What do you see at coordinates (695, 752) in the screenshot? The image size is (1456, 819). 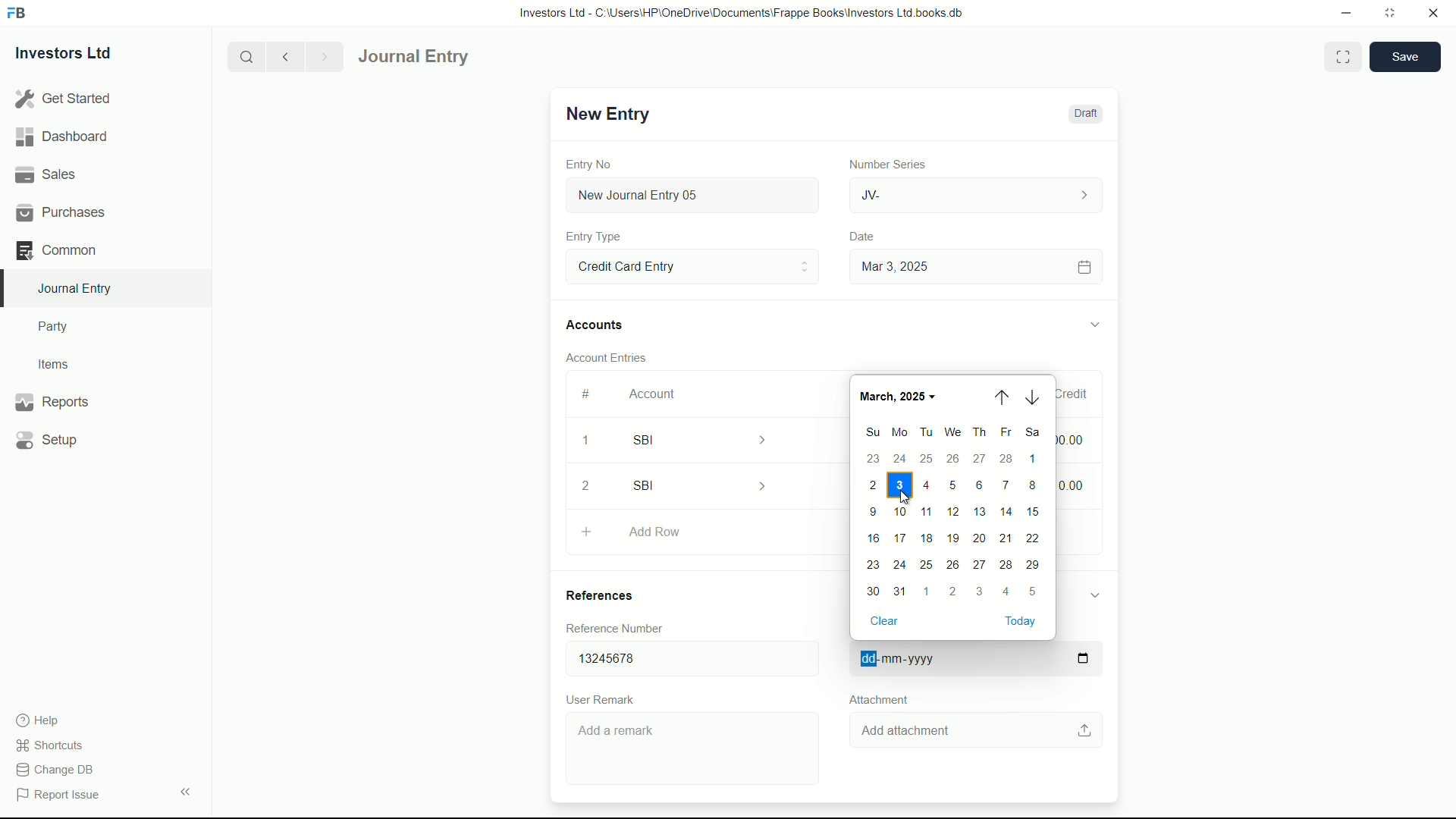 I see `Add a remark` at bounding box center [695, 752].